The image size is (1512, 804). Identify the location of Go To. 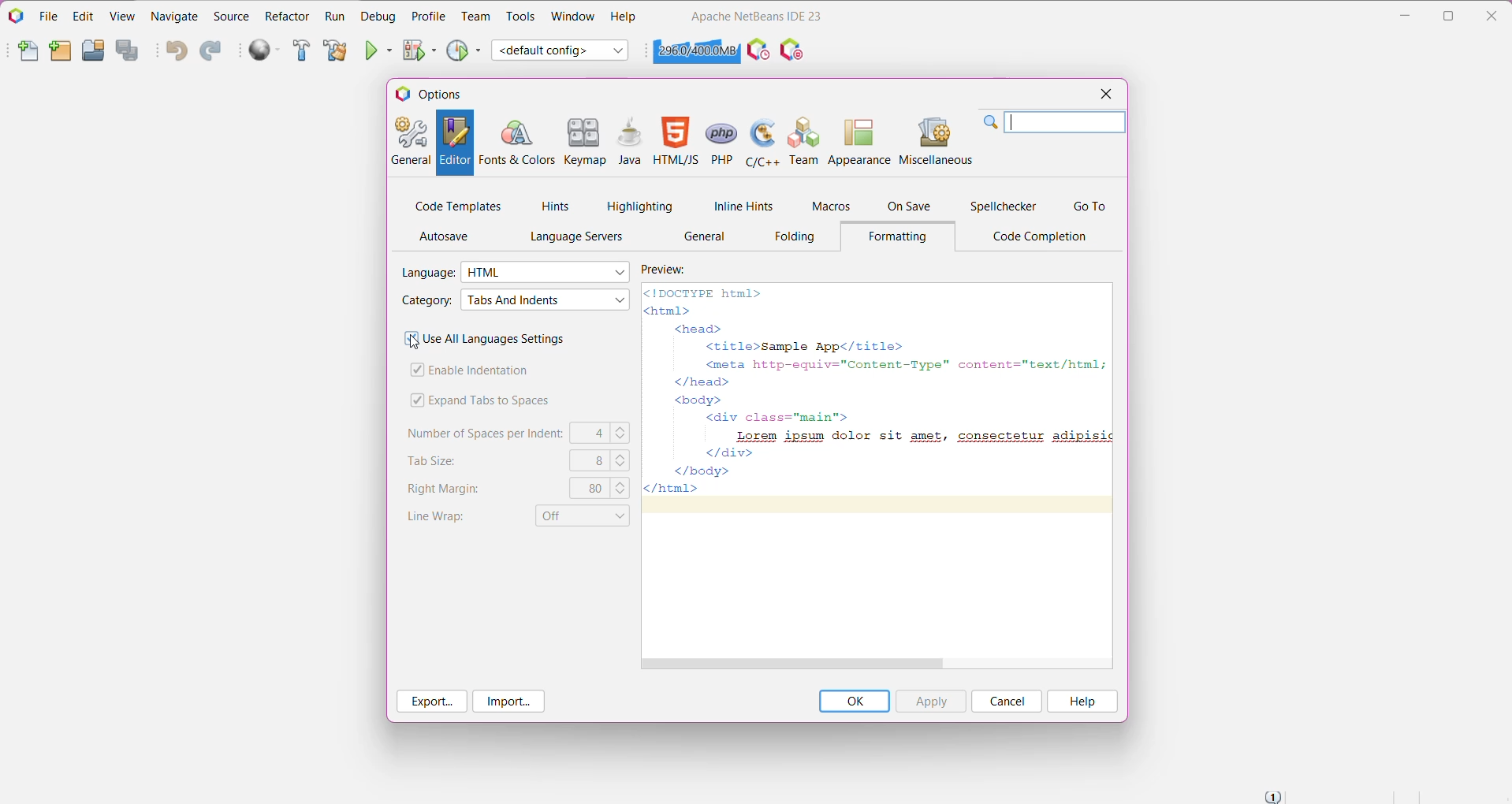
(1089, 207).